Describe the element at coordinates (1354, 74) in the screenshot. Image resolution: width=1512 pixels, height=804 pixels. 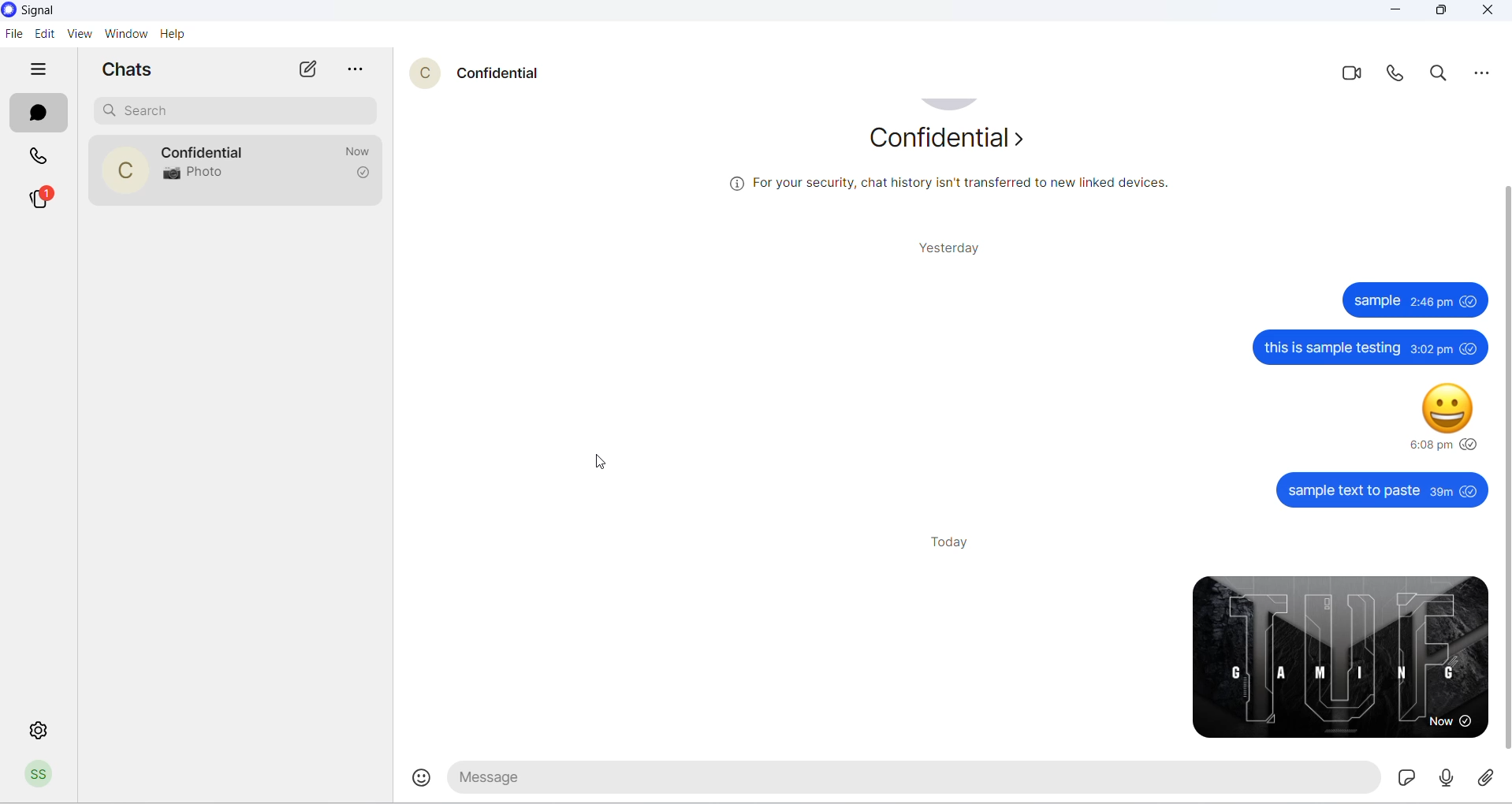
I see `video call` at that location.